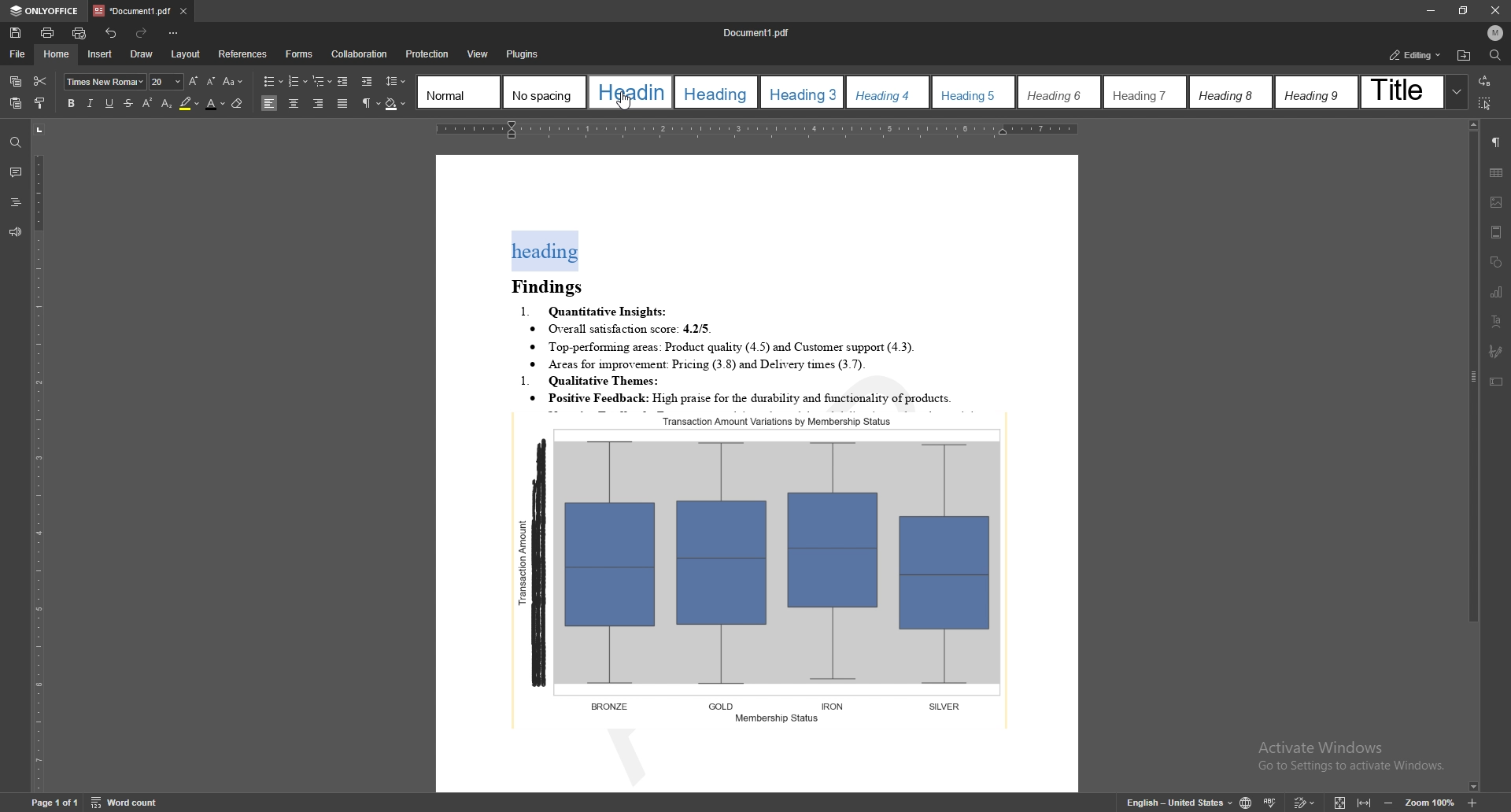 The width and height of the screenshot is (1511, 812). What do you see at coordinates (57, 54) in the screenshot?
I see `home` at bounding box center [57, 54].